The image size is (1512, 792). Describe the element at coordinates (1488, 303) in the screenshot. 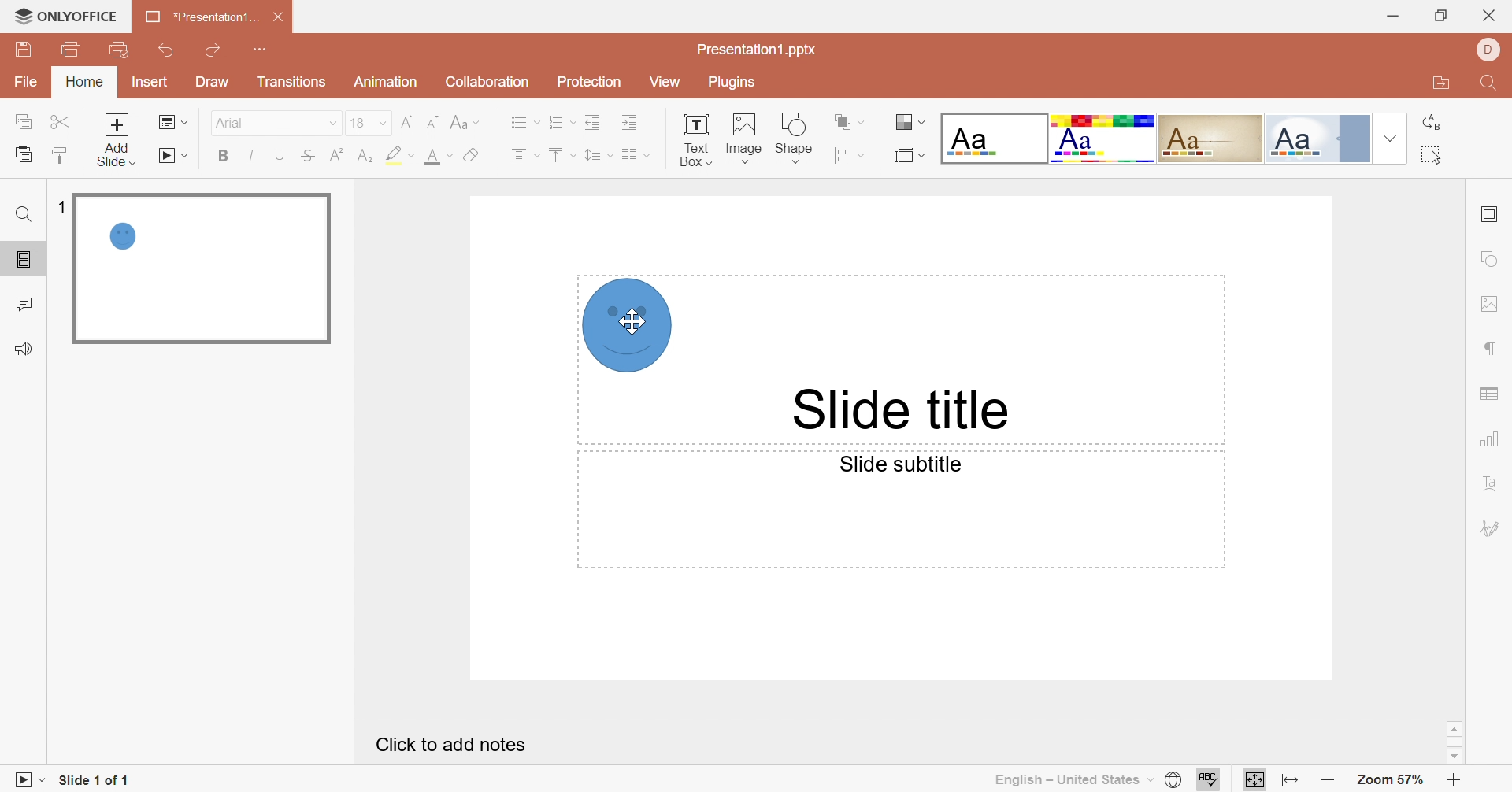

I see `image settings` at that location.